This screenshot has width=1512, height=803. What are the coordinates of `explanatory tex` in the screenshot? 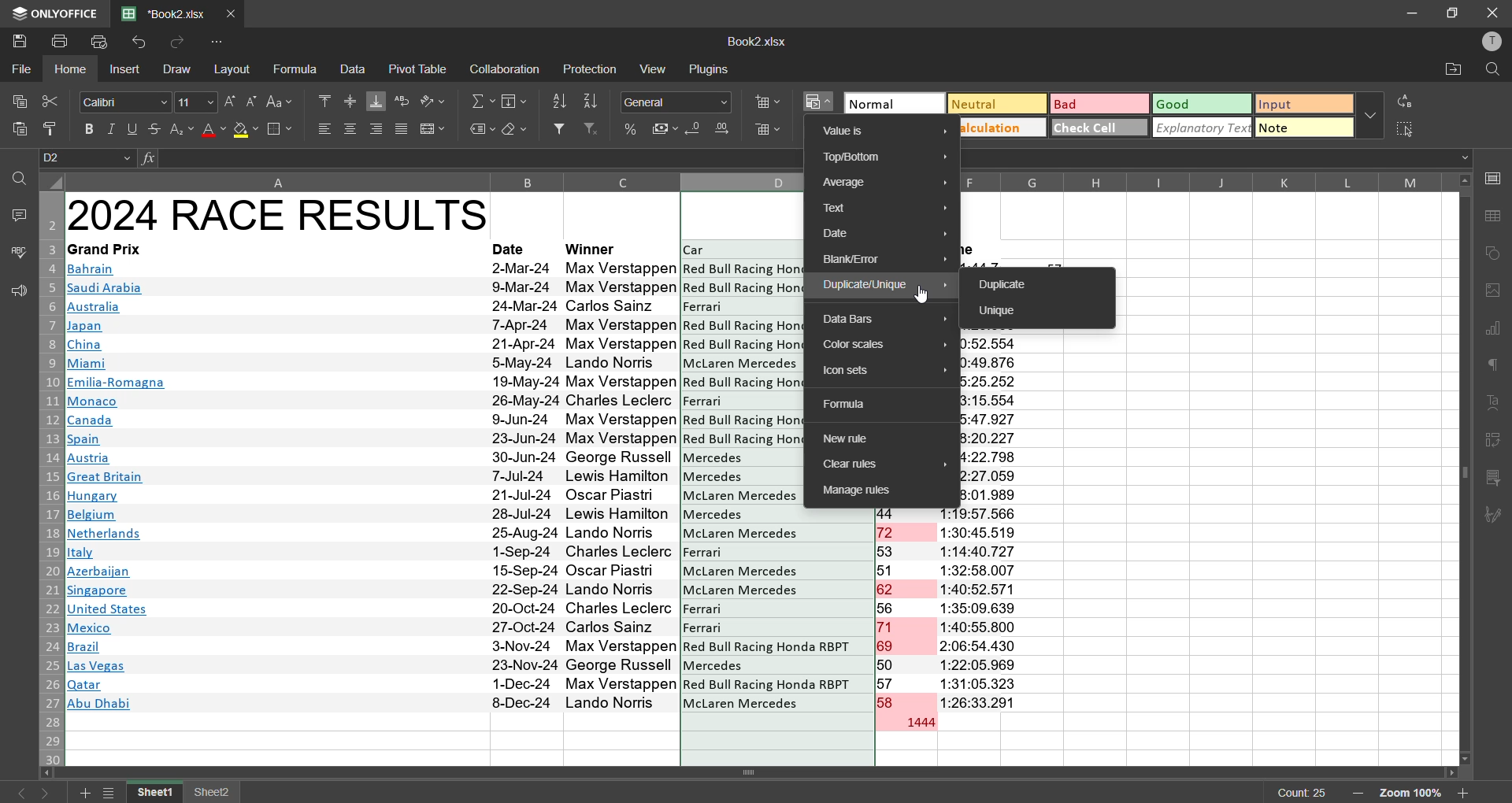 It's located at (1203, 128).